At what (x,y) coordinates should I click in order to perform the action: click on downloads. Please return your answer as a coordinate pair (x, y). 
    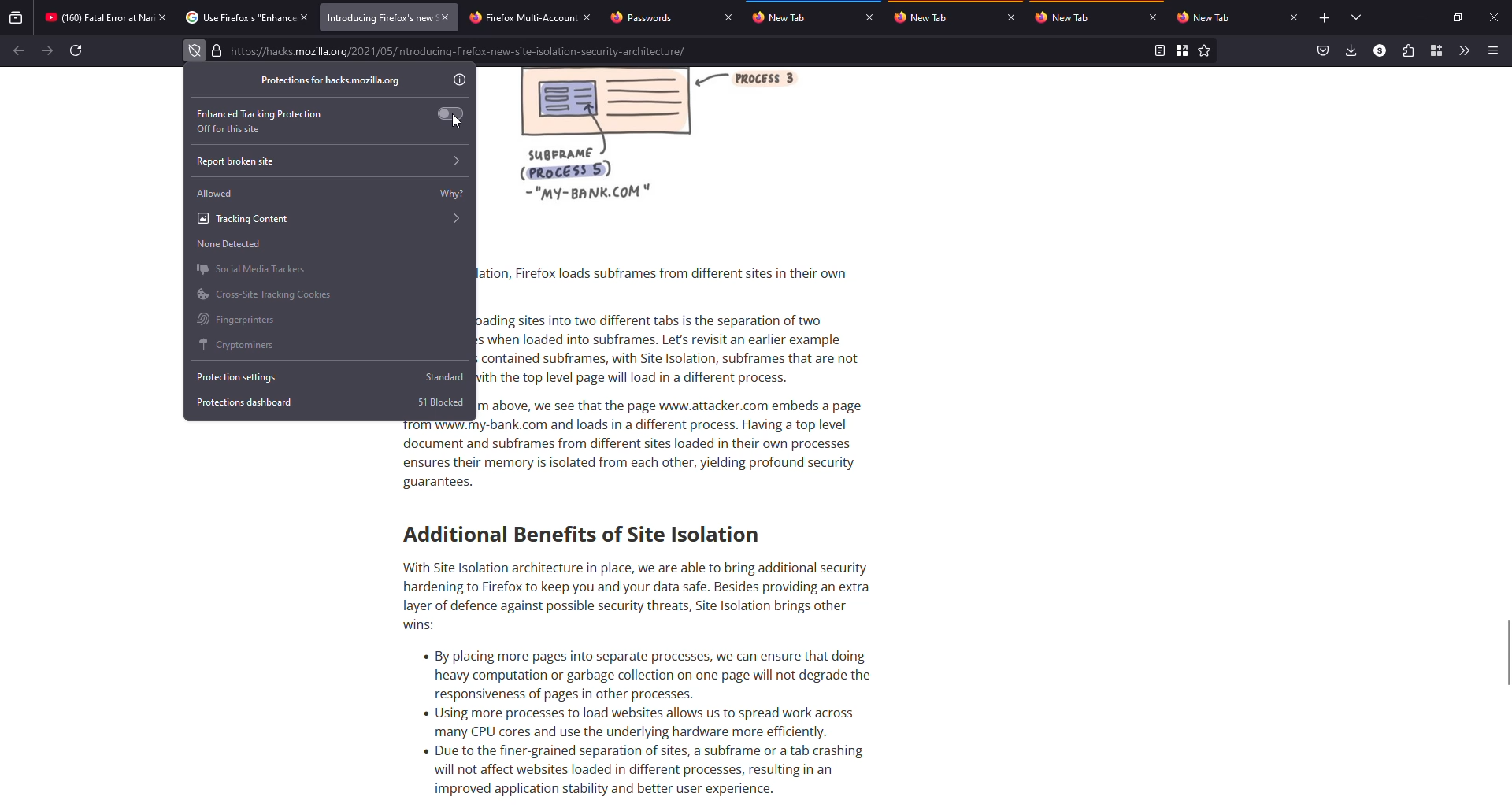
    Looking at the image, I should click on (1351, 50).